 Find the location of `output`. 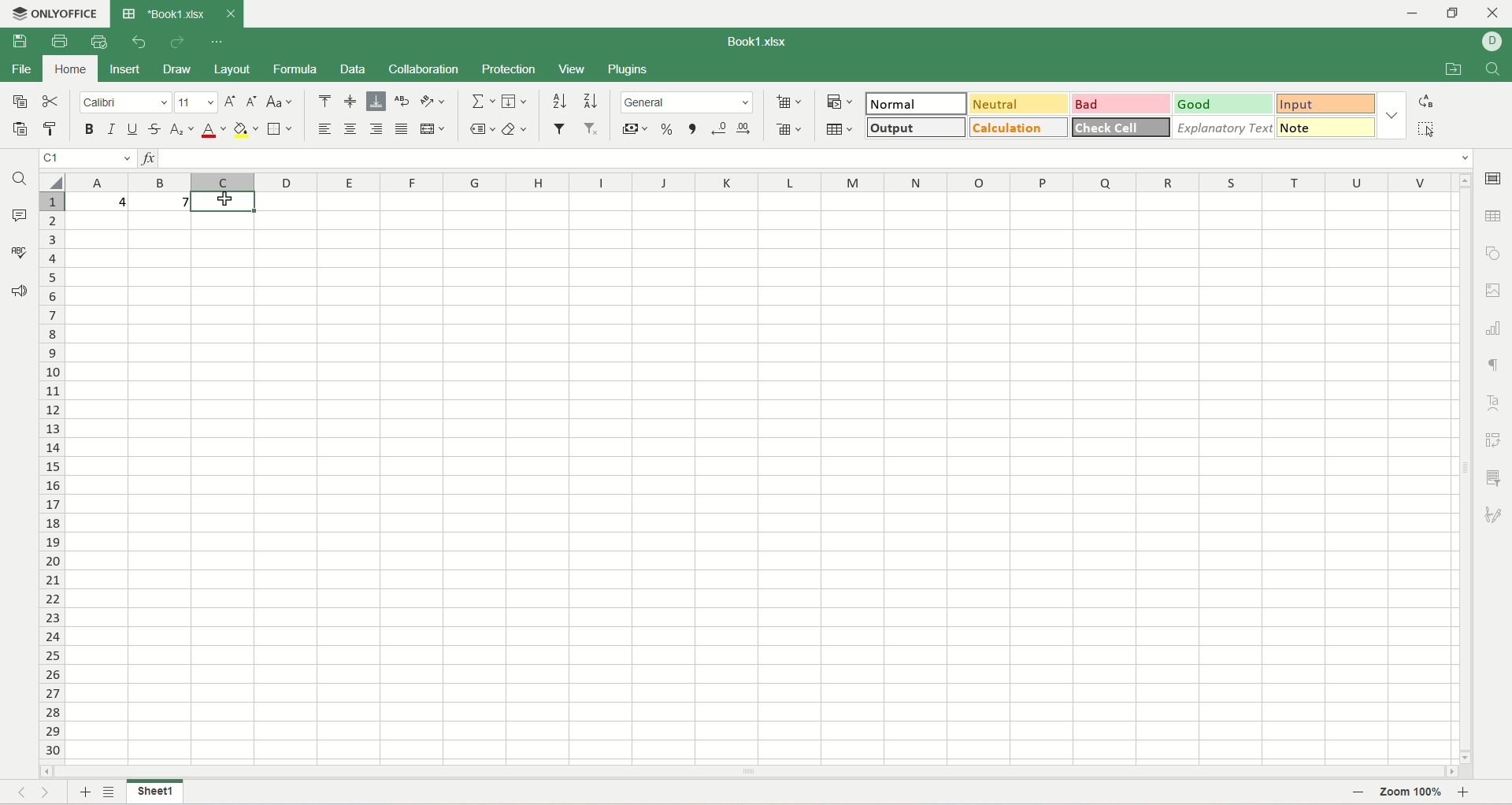

output is located at coordinates (917, 127).